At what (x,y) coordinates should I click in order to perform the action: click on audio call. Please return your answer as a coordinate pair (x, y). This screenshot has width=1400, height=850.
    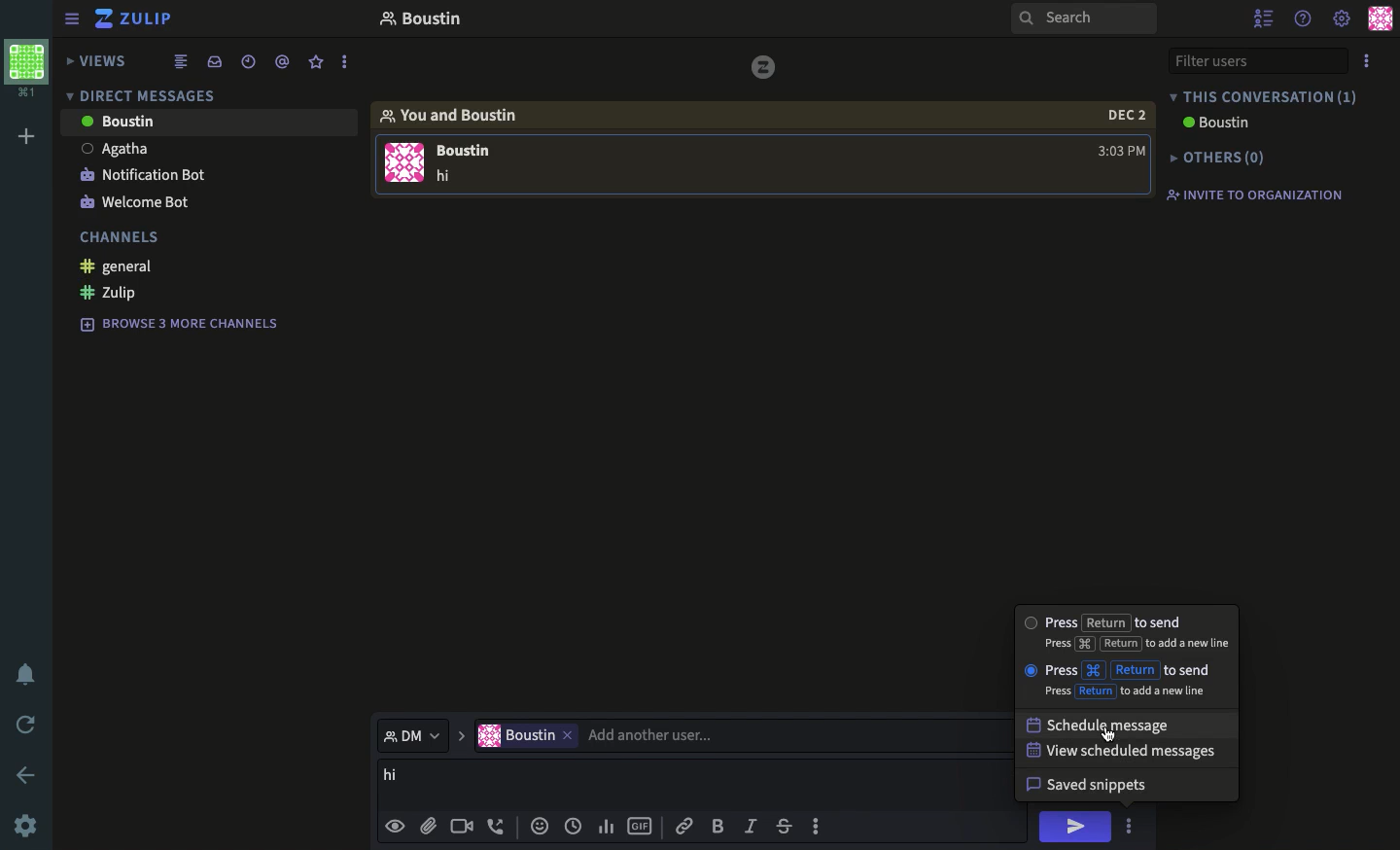
    Looking at the image, I should click on (496, 824).